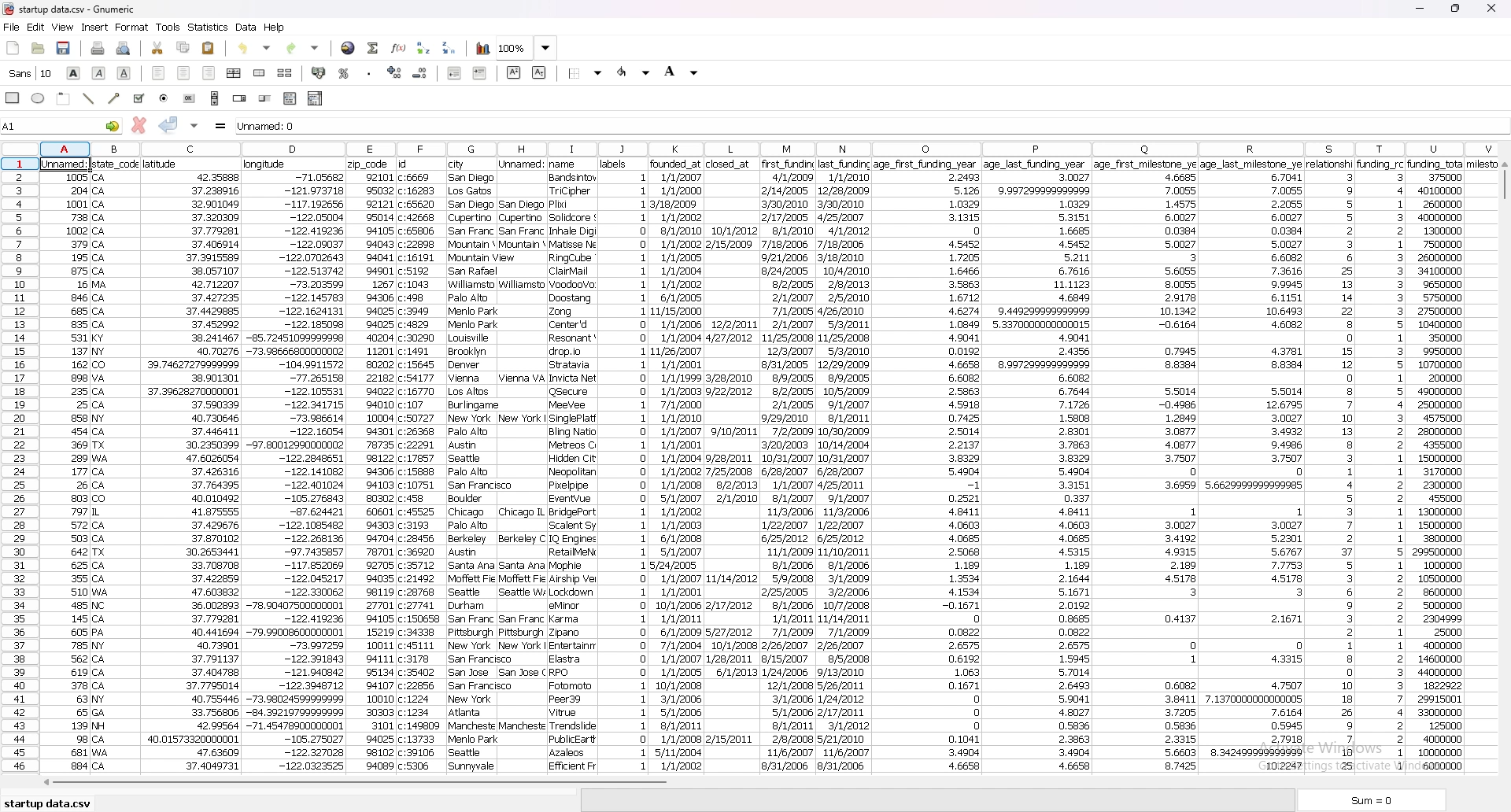 The image size is (1511, 812). What do you see at coordinates (194, 125) in the screenshot?
I see `accept change in multiple cell` at bounding box center [194, 125].